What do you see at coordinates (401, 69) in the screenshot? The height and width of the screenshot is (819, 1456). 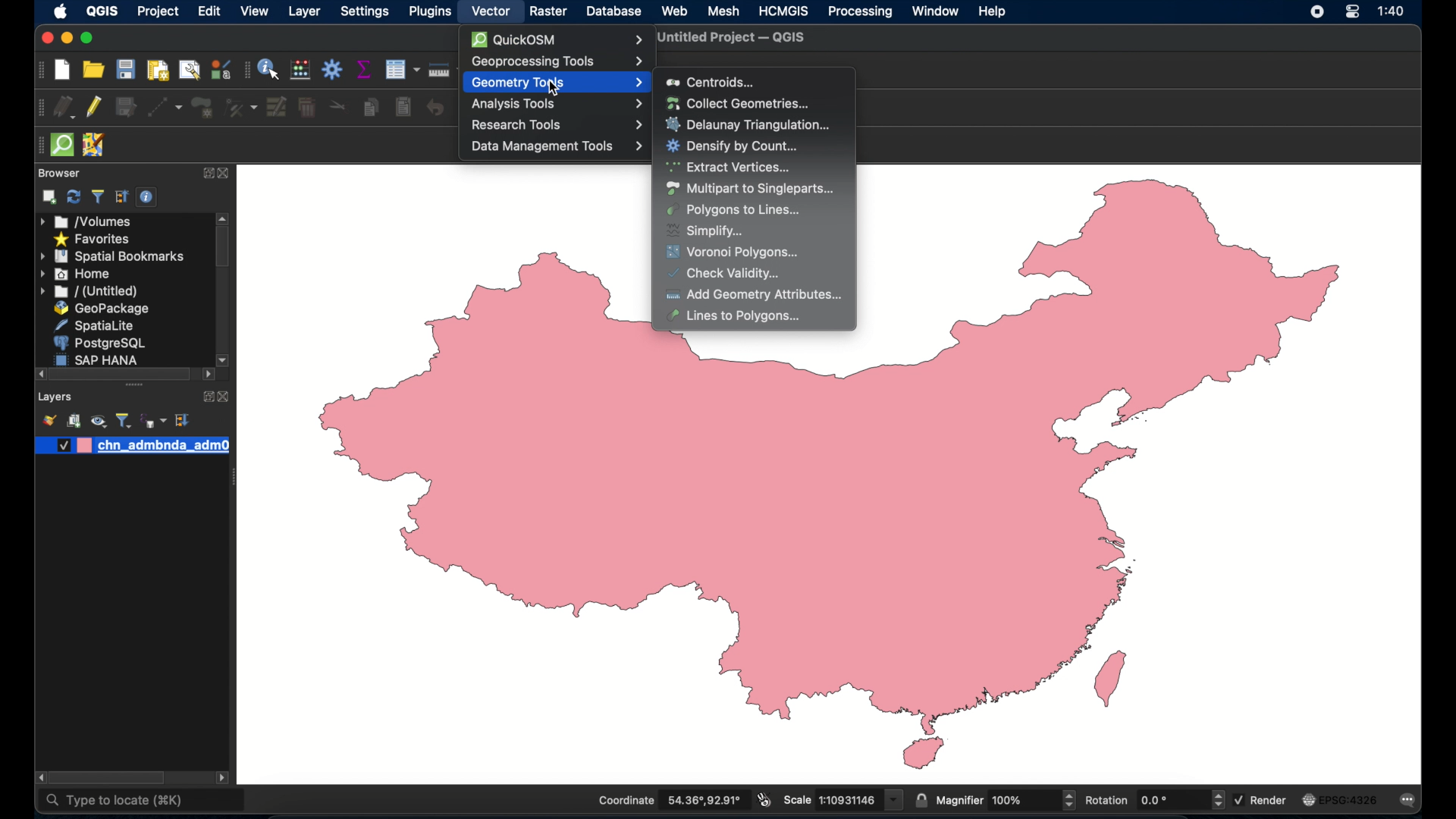 I see `modify attributes` at bounding box center [401, 69].